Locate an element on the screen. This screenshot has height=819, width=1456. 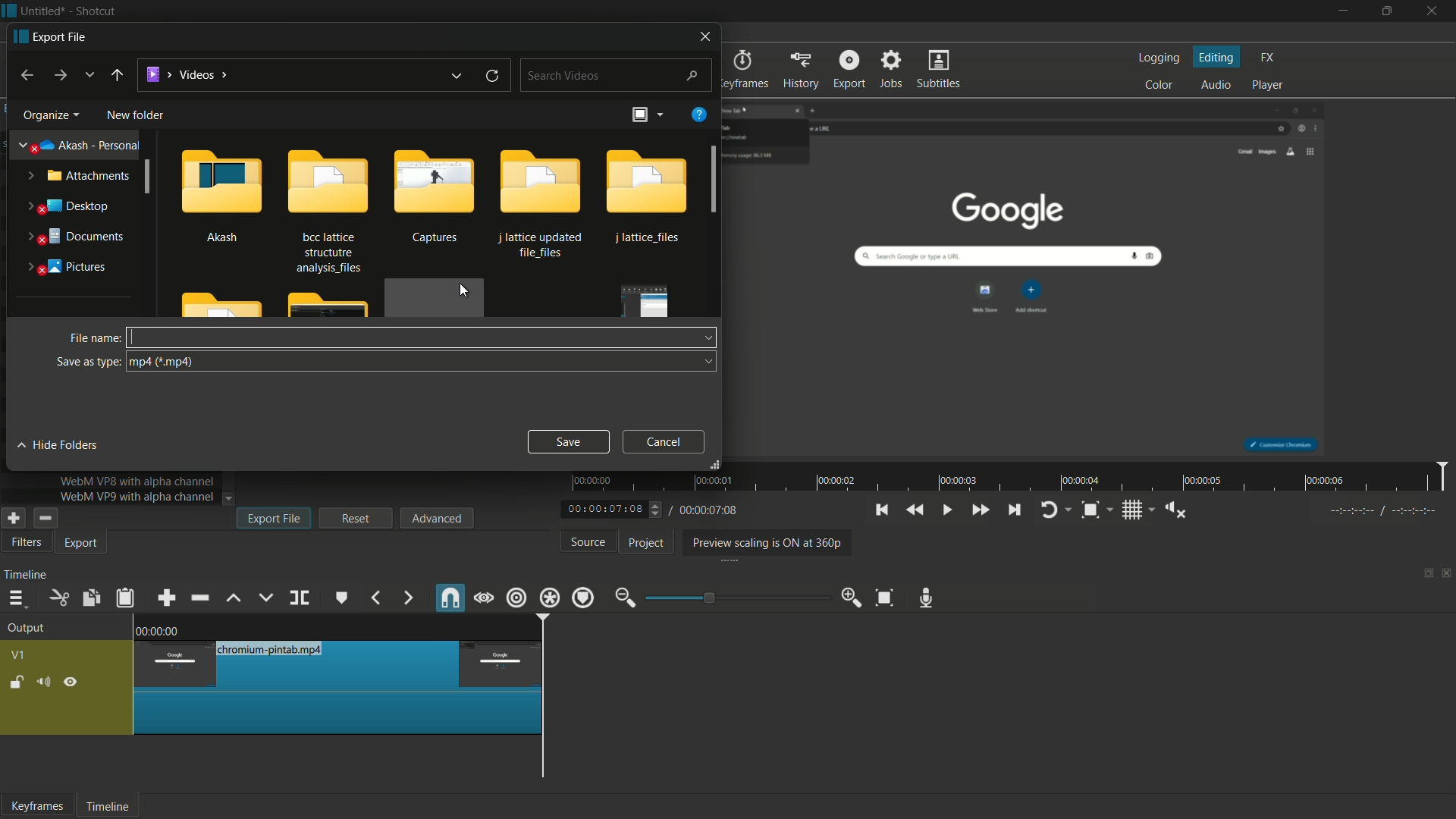
zoom out is located at coordinates (625, 599).